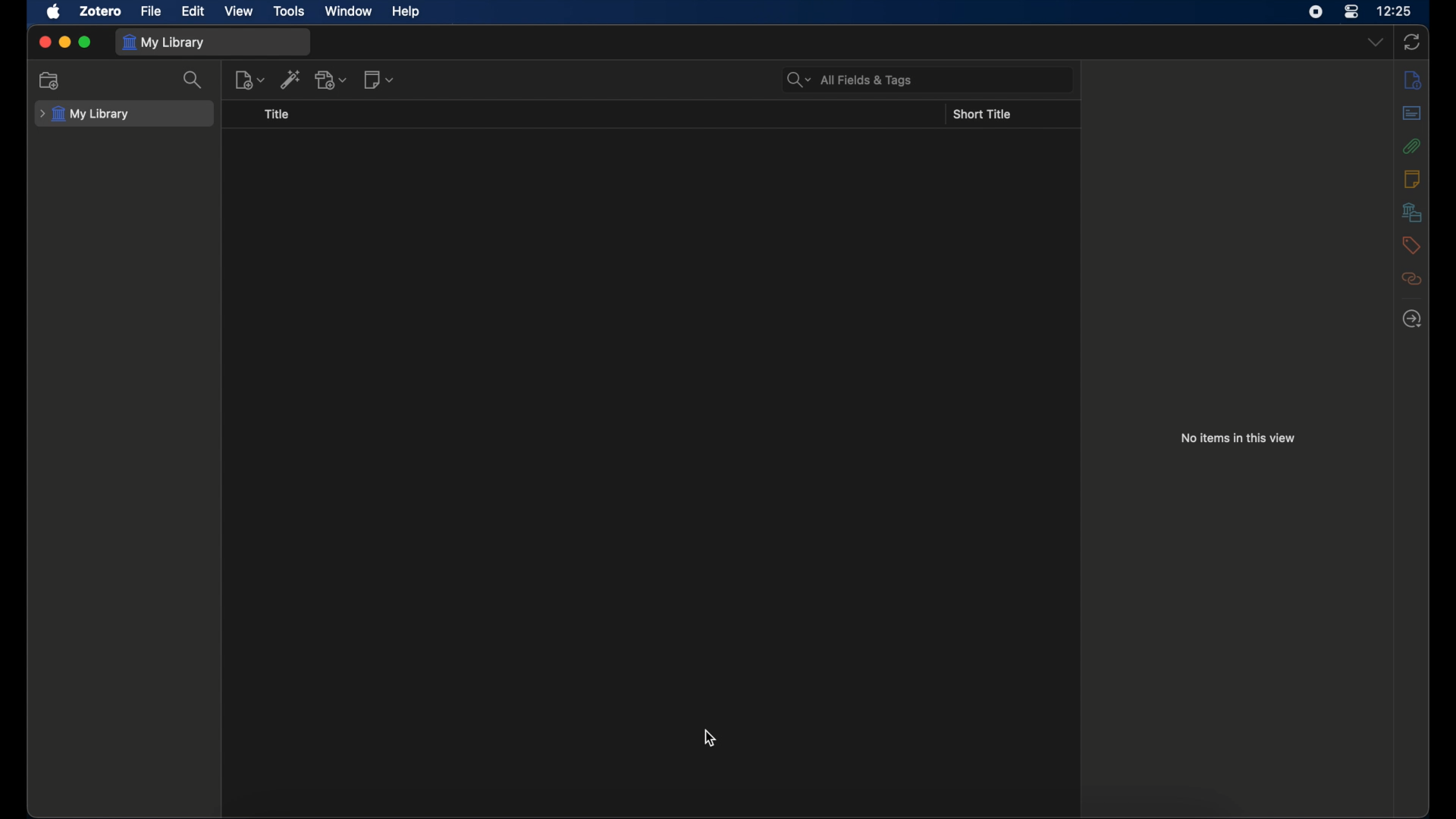  I want to click on notes, so click(1414, 179).